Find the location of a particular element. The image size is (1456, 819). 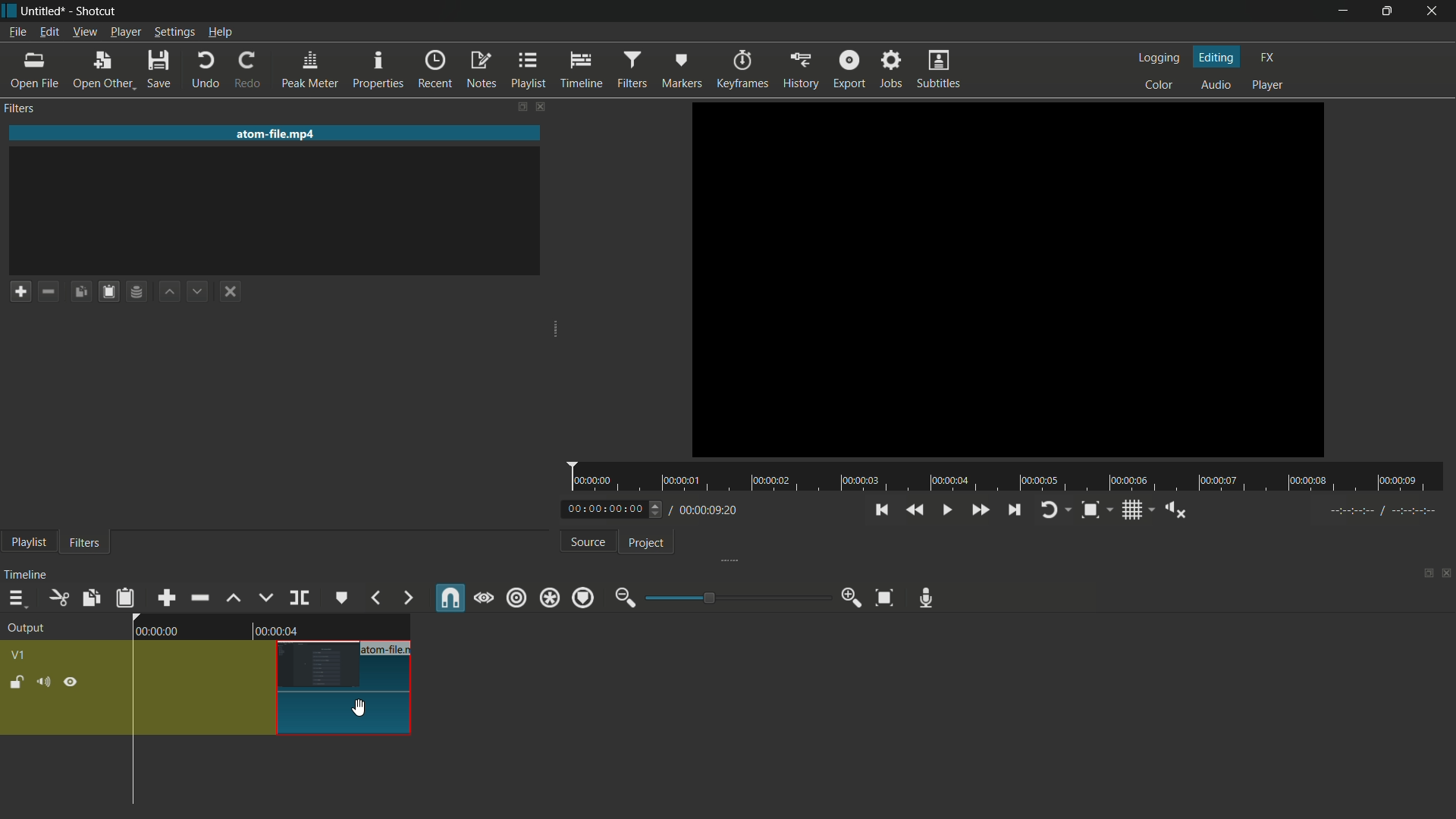

overwrite is located at coordinates (263, 598).